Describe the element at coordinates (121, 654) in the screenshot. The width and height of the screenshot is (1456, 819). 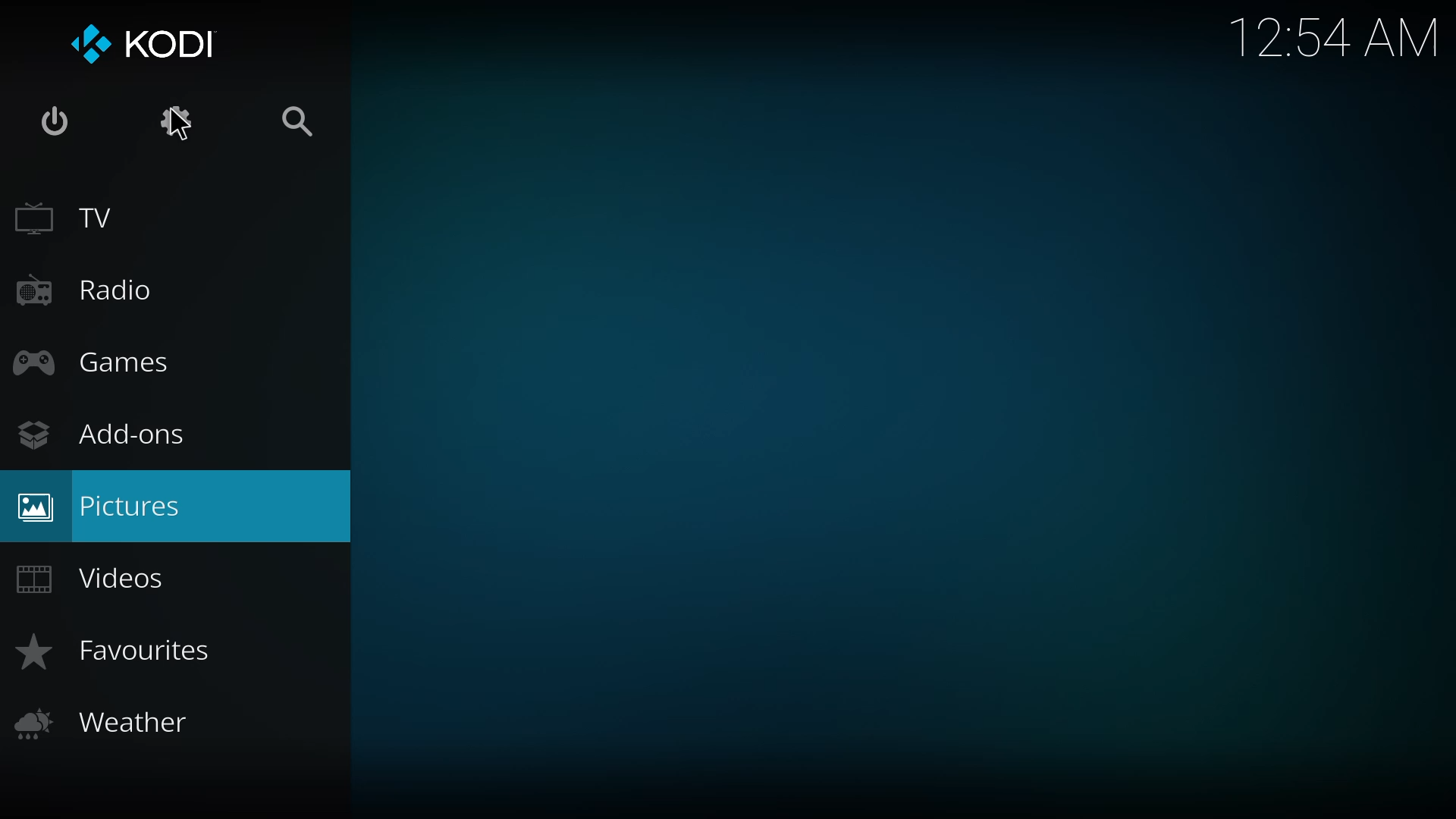
I see `favorites` at that location.